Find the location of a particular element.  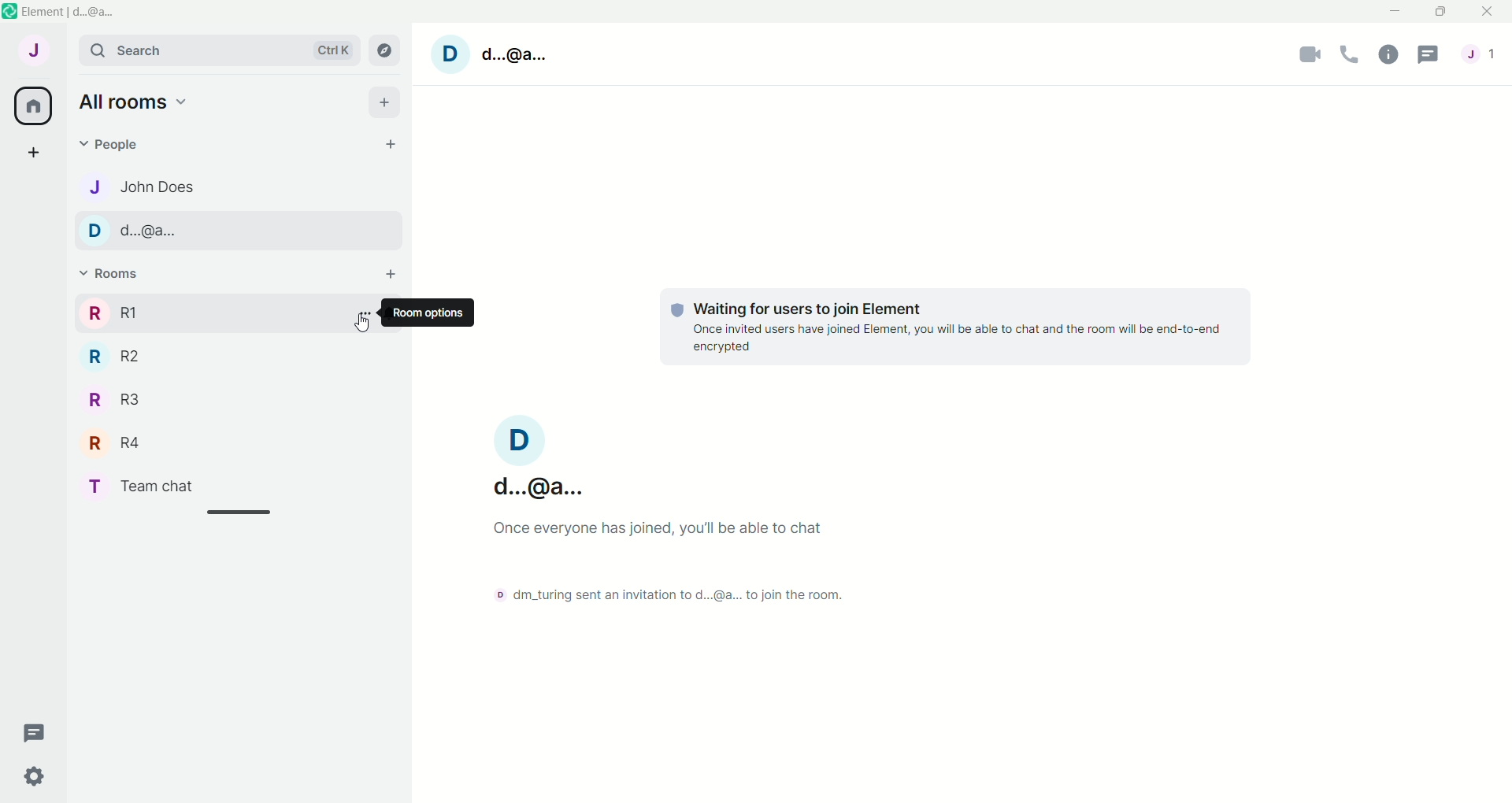

D d...@a... is located at coordinates (538, 453).